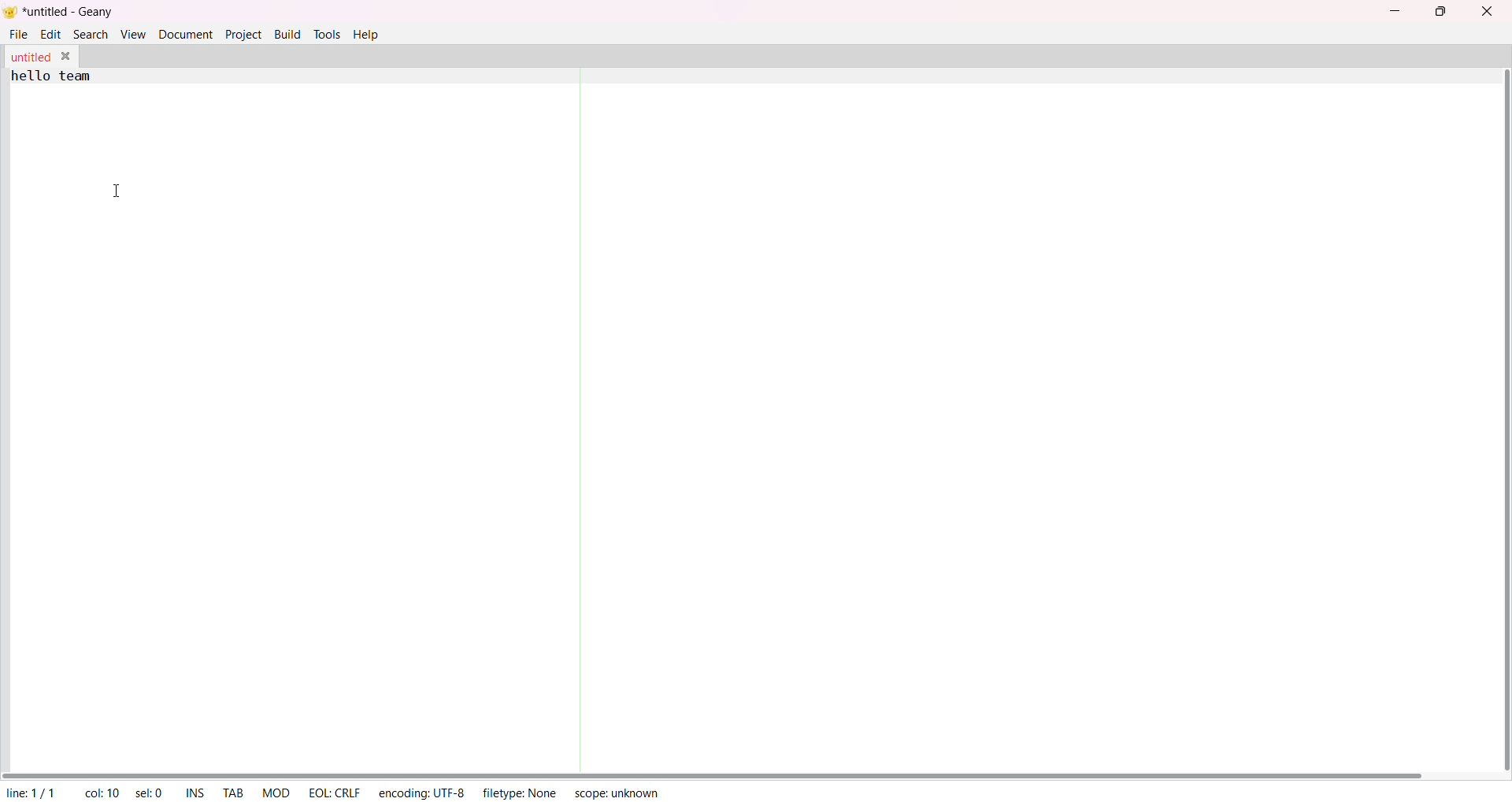 This screenshot has width=1512, height=802. I want to click on hello team, so click(52, 77).